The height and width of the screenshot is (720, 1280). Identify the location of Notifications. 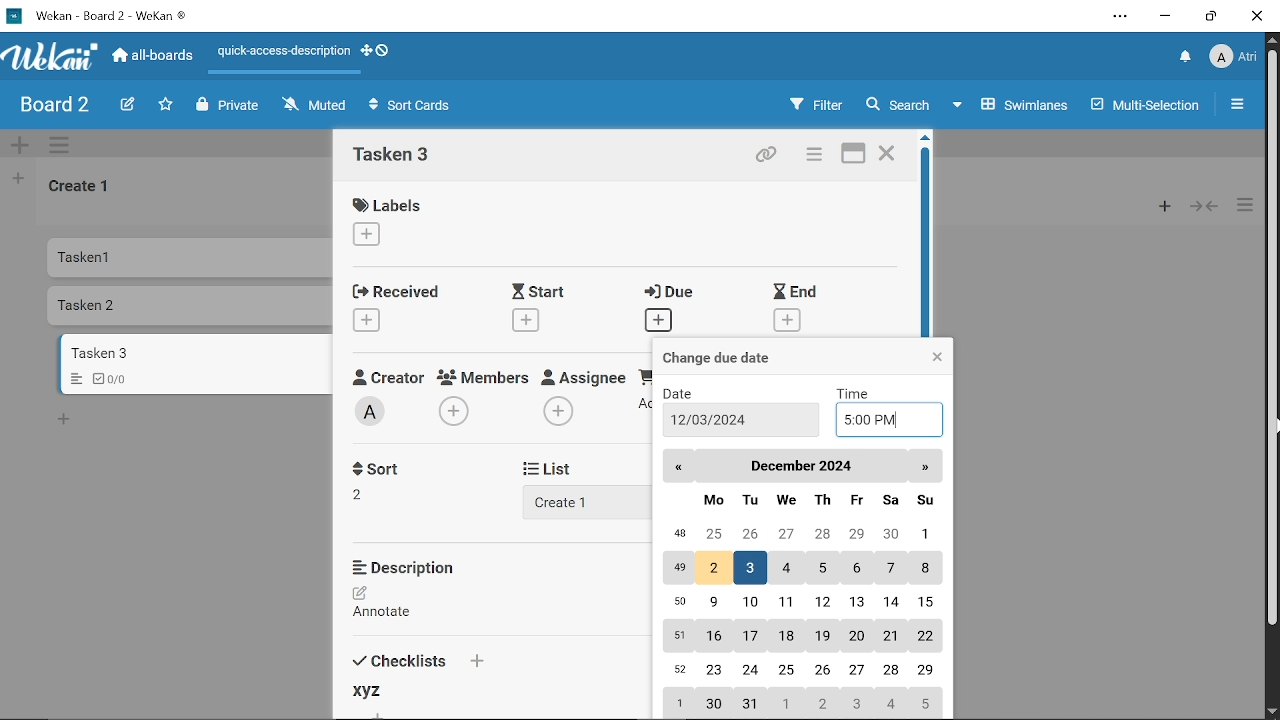
(1186, 57).